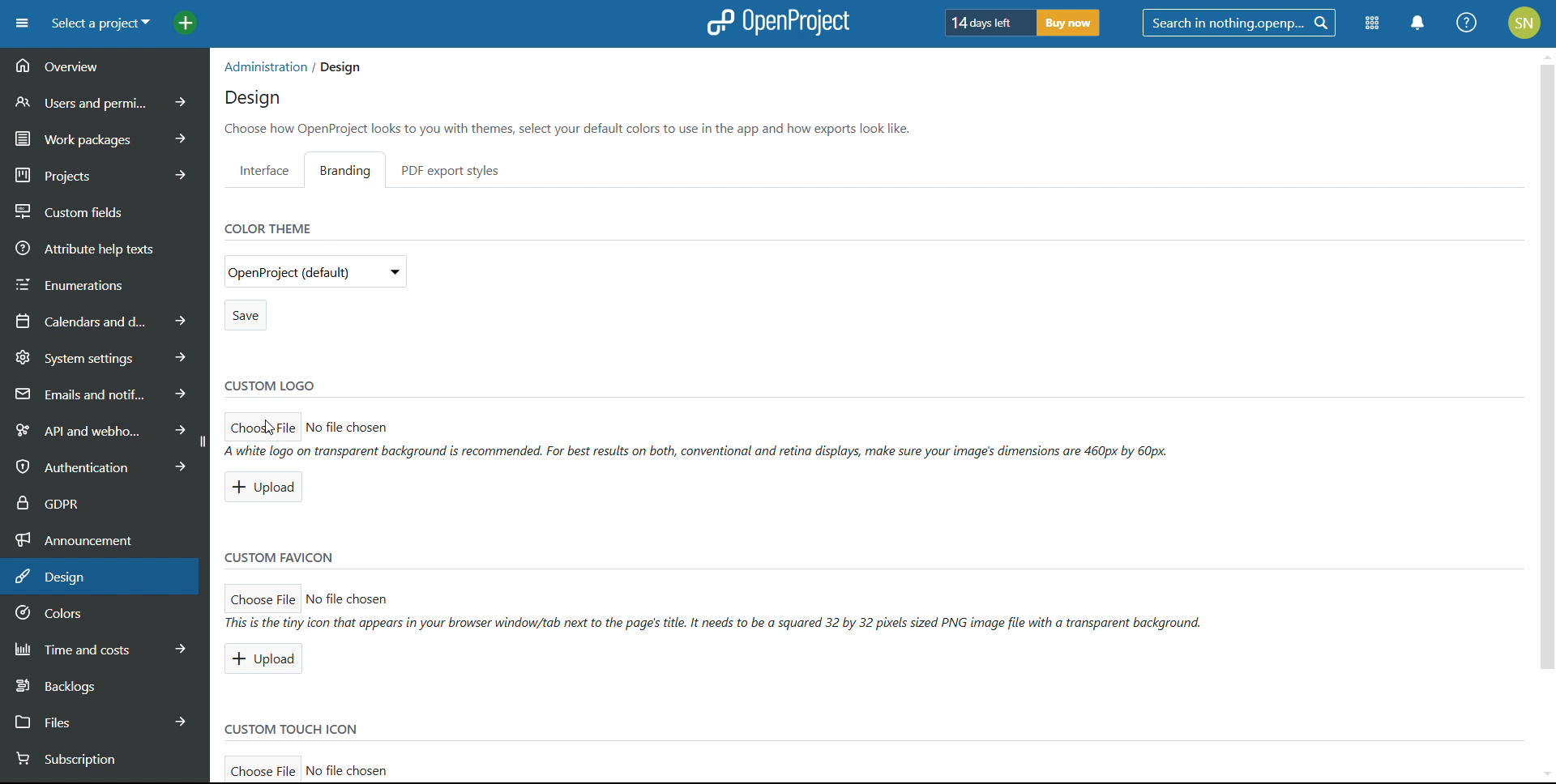 This screenshot has height=784, width=1556. What do you see at coordinates (96, 467) in the screenshot?
I see `authentication` at bounding box center [96, 467].